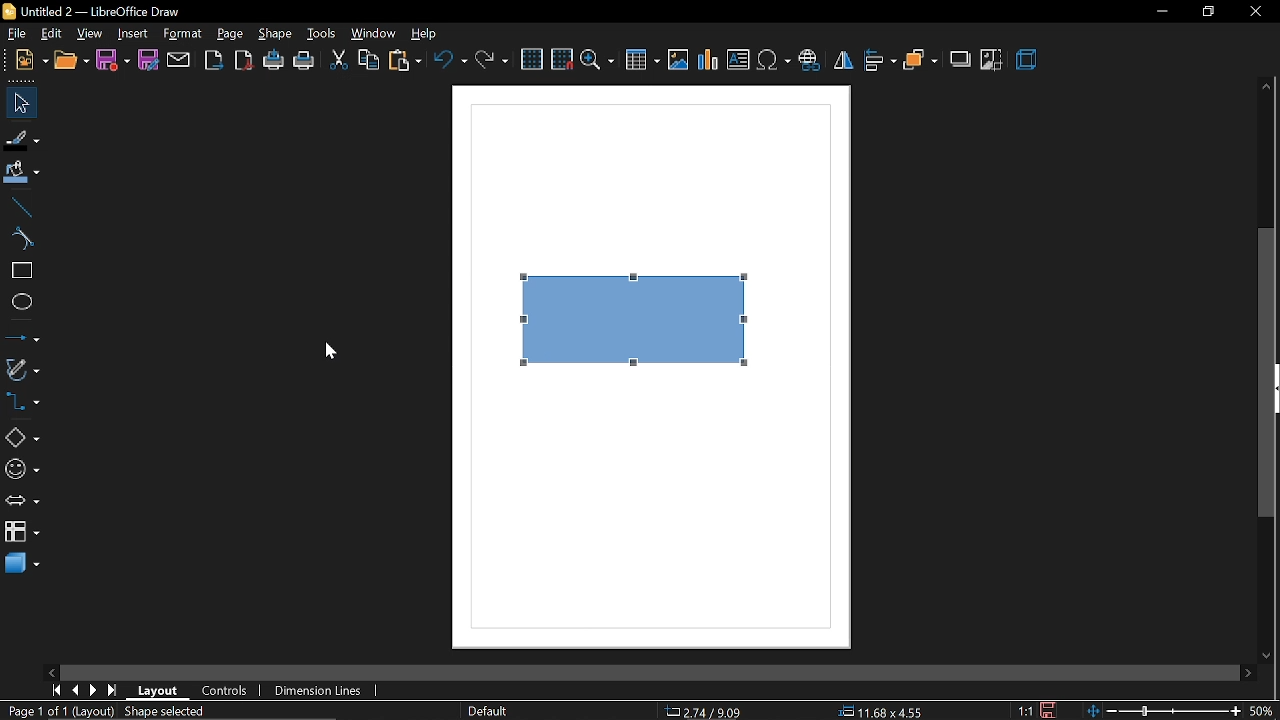  Describe the element at coordinates (1266, 84) in the screenshot. I see `move up` at that location.